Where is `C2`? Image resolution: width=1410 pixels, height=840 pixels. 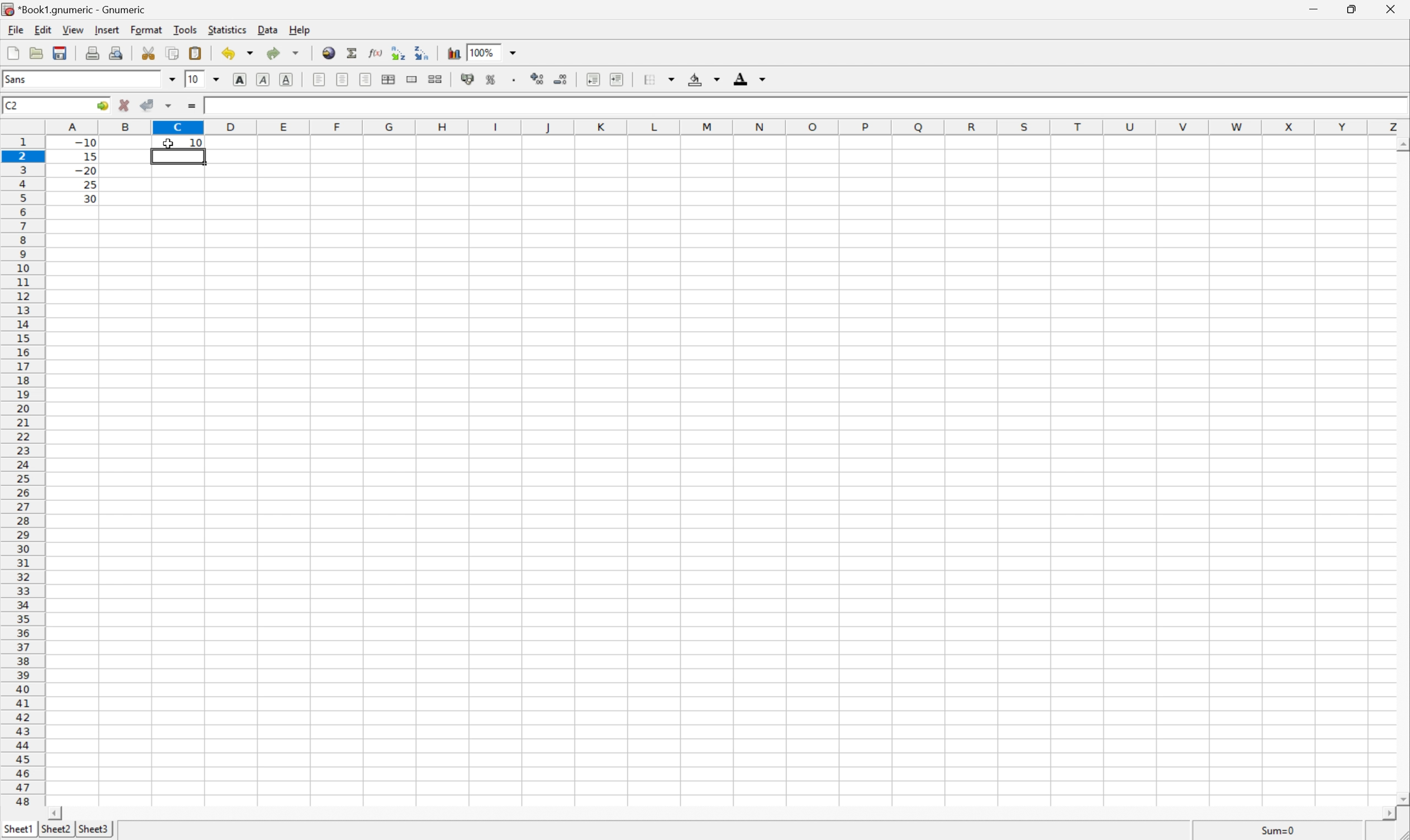 C2 is located at coordinates (12, 104).